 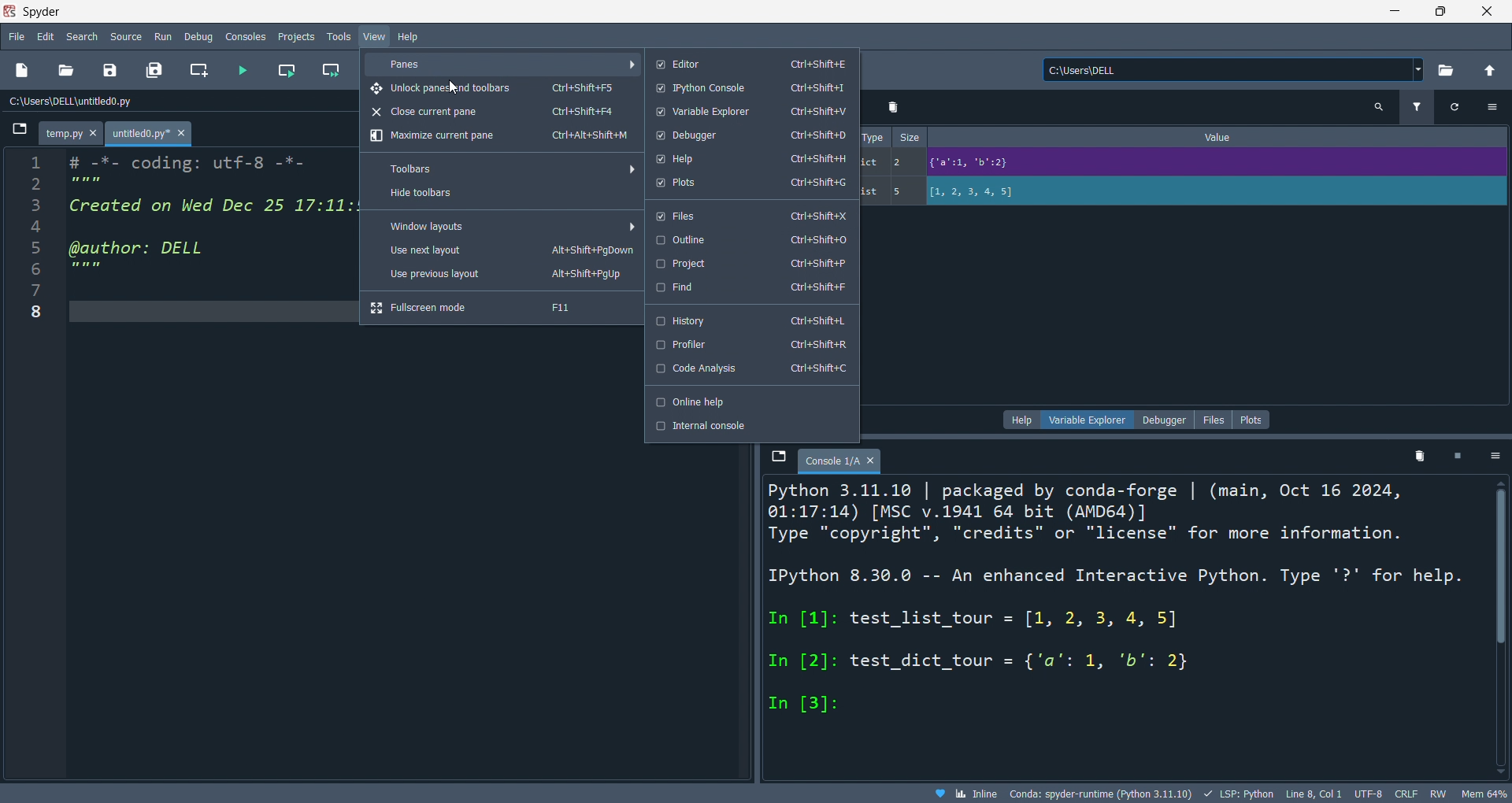 What do you see at coordinates (502, 195) in the screenshot?
I see `hide toolbars` at bounding box center [502, 195].